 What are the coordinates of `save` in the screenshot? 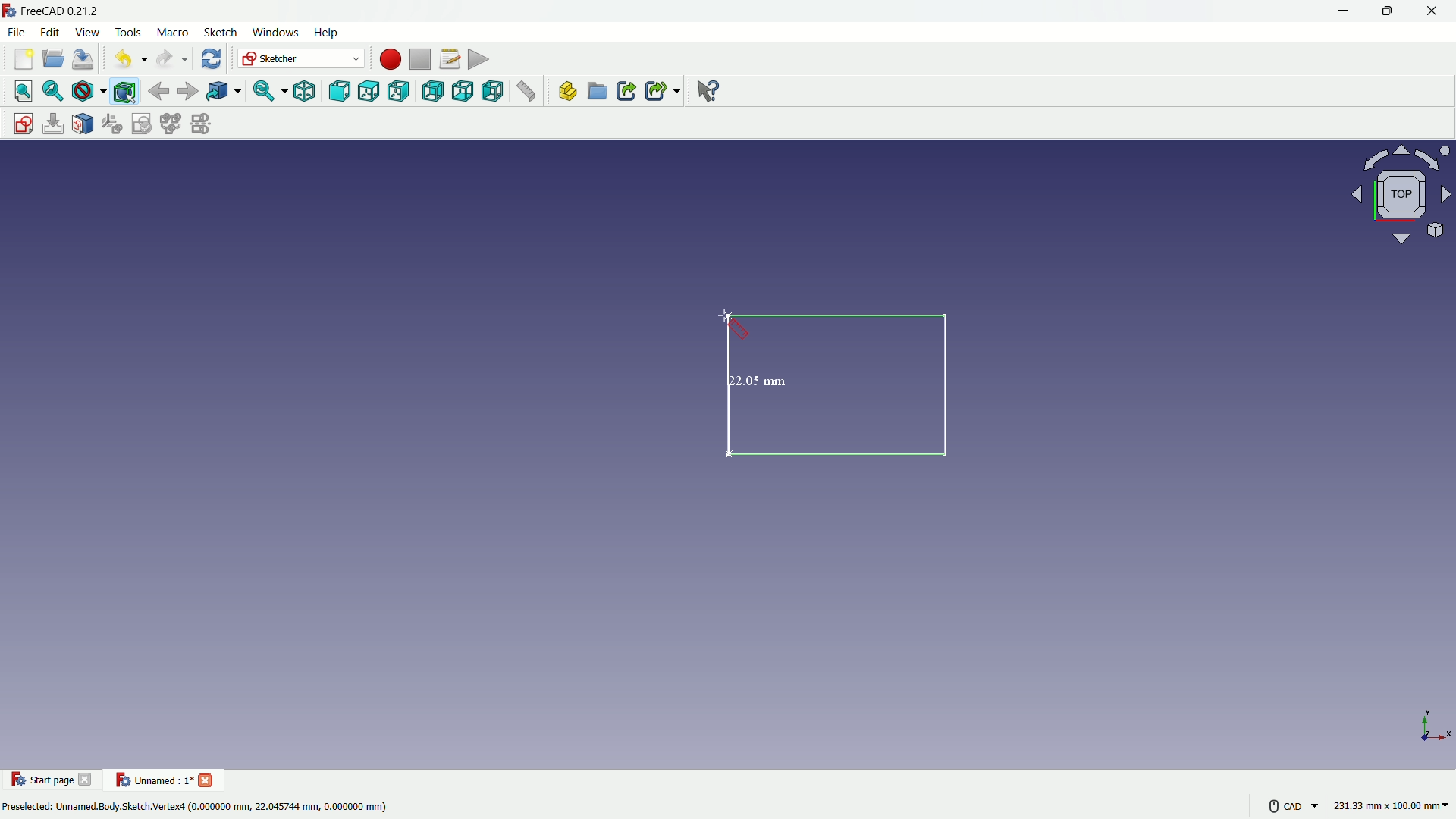 It's located at (84, 59).